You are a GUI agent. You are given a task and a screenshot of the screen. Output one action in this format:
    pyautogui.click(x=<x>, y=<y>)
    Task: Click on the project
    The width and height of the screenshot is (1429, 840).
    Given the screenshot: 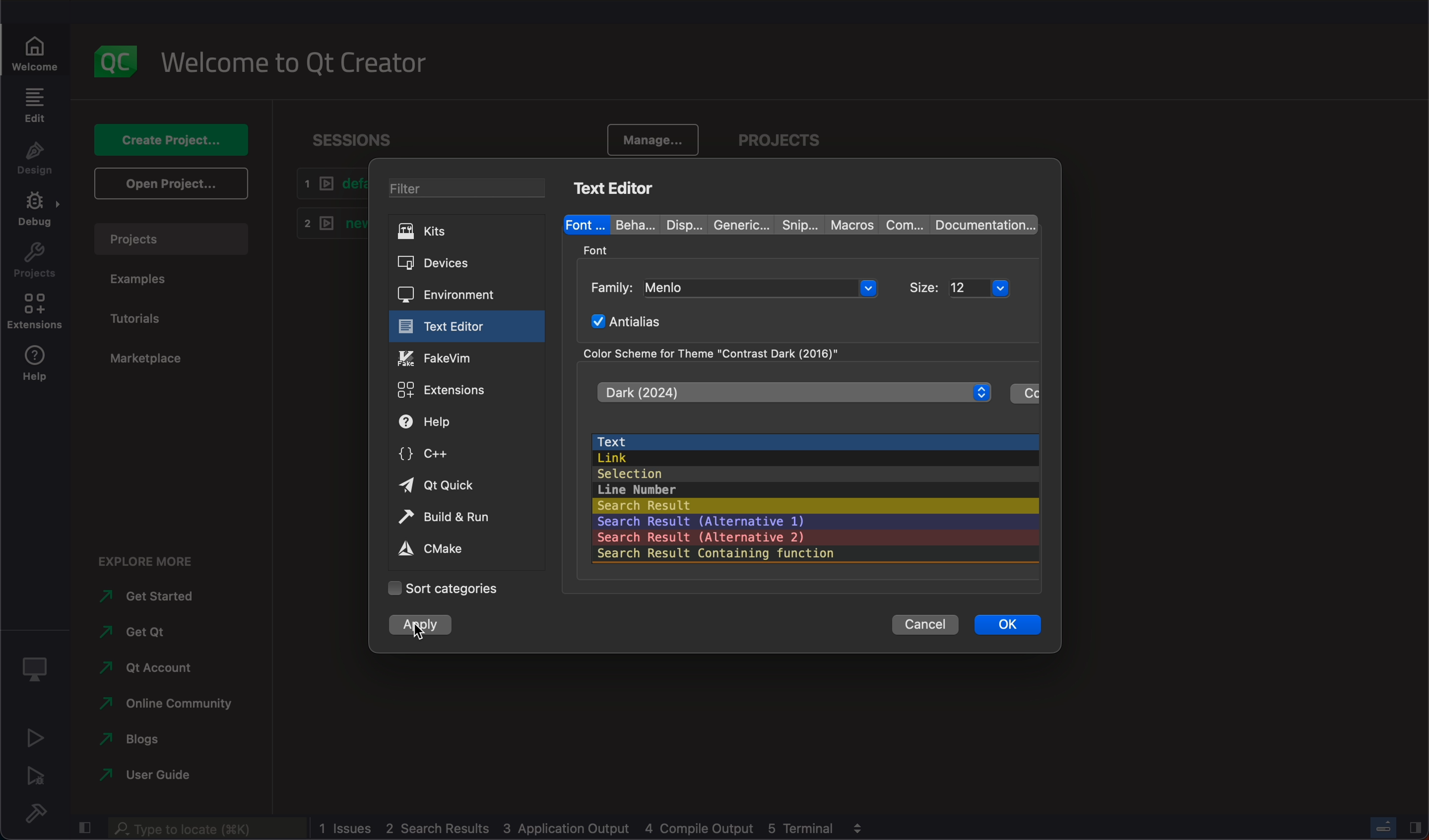 What is the action you would take?
    pyautogui.click(x=173, y=238)
    